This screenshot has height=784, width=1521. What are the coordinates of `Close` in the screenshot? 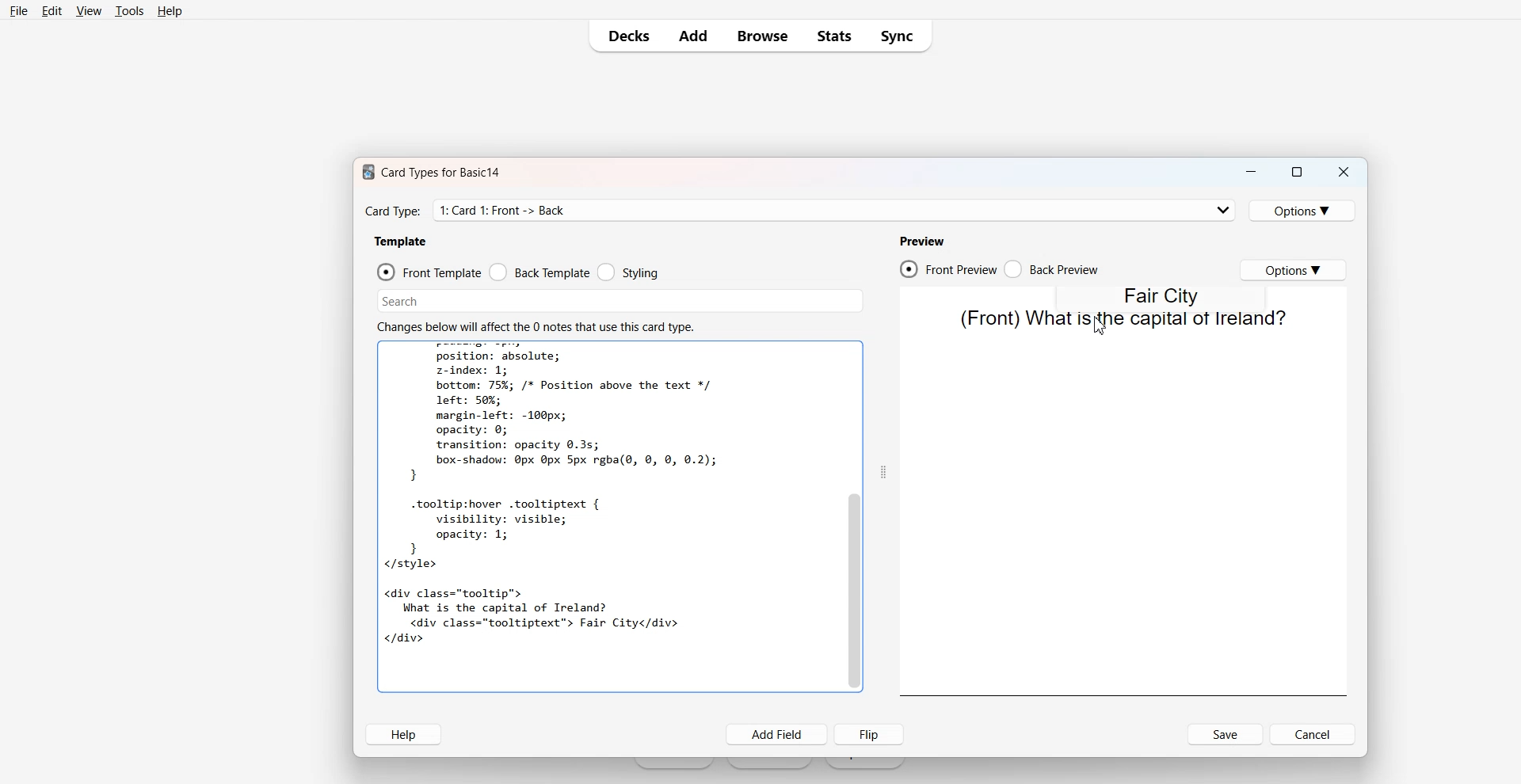 It's located at (1343, 172).